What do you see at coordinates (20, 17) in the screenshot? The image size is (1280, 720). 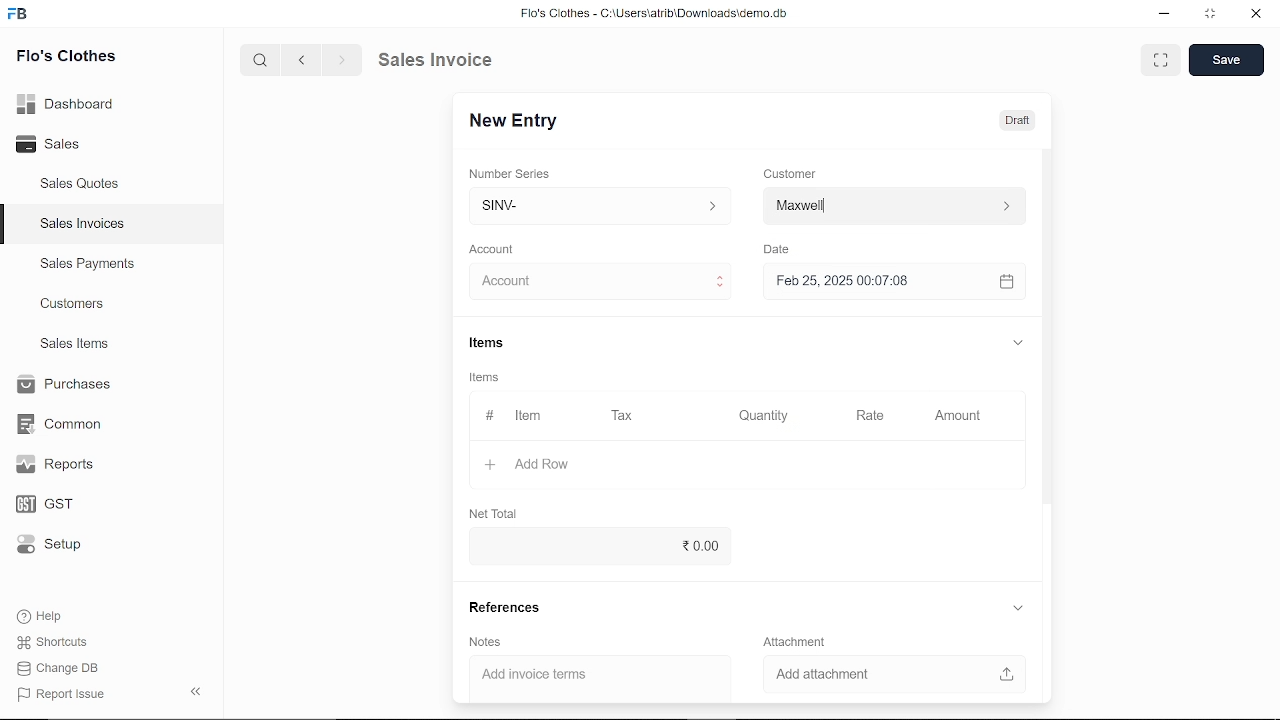 I see `frappe books logo` at bounding box center [20, 17].